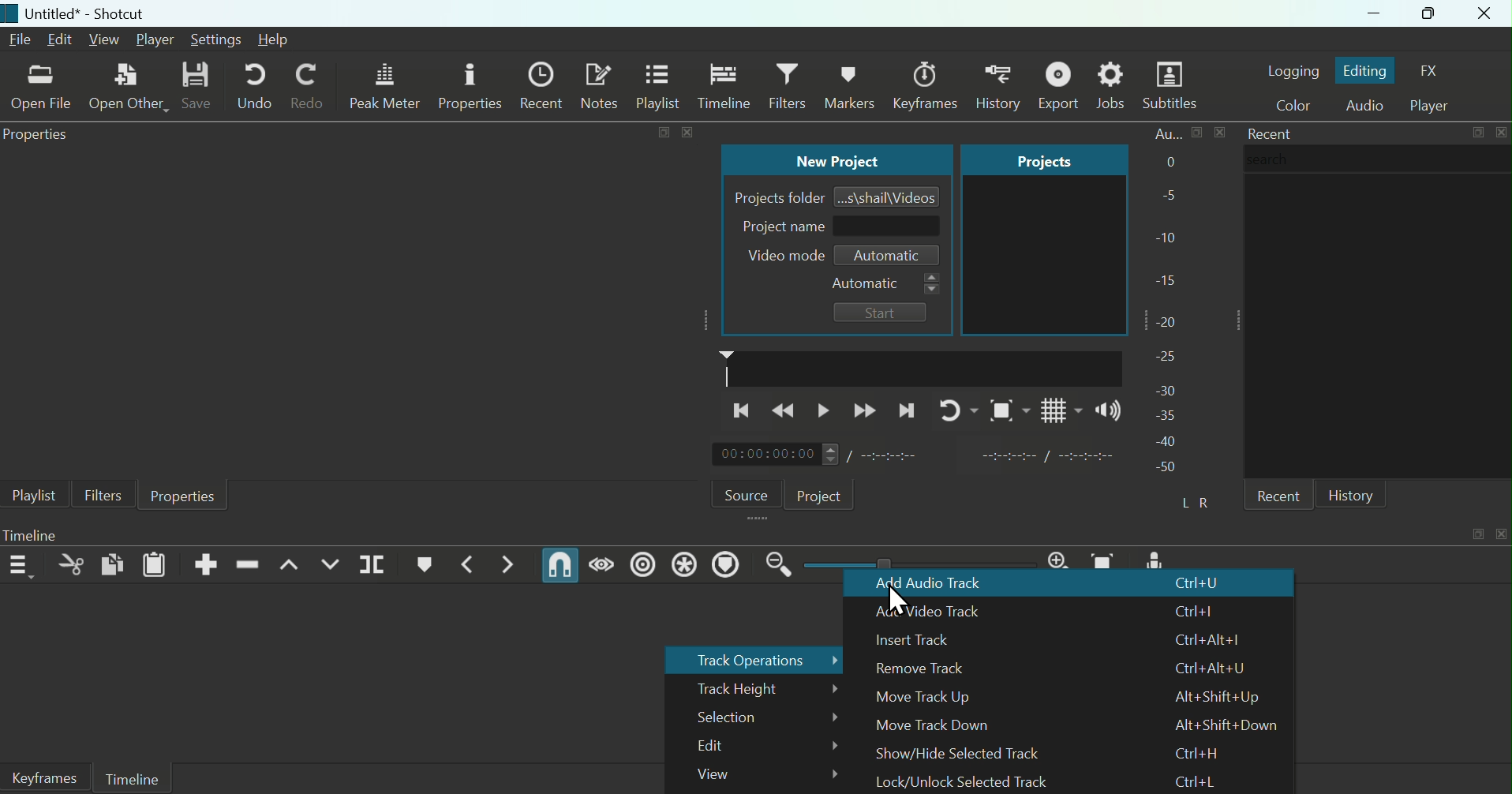 This screenshot has width=1512, height=794. What do you see at coordinates (758, 746) in the screenshot?
I see `Edit` at bounding box center [758, 746].